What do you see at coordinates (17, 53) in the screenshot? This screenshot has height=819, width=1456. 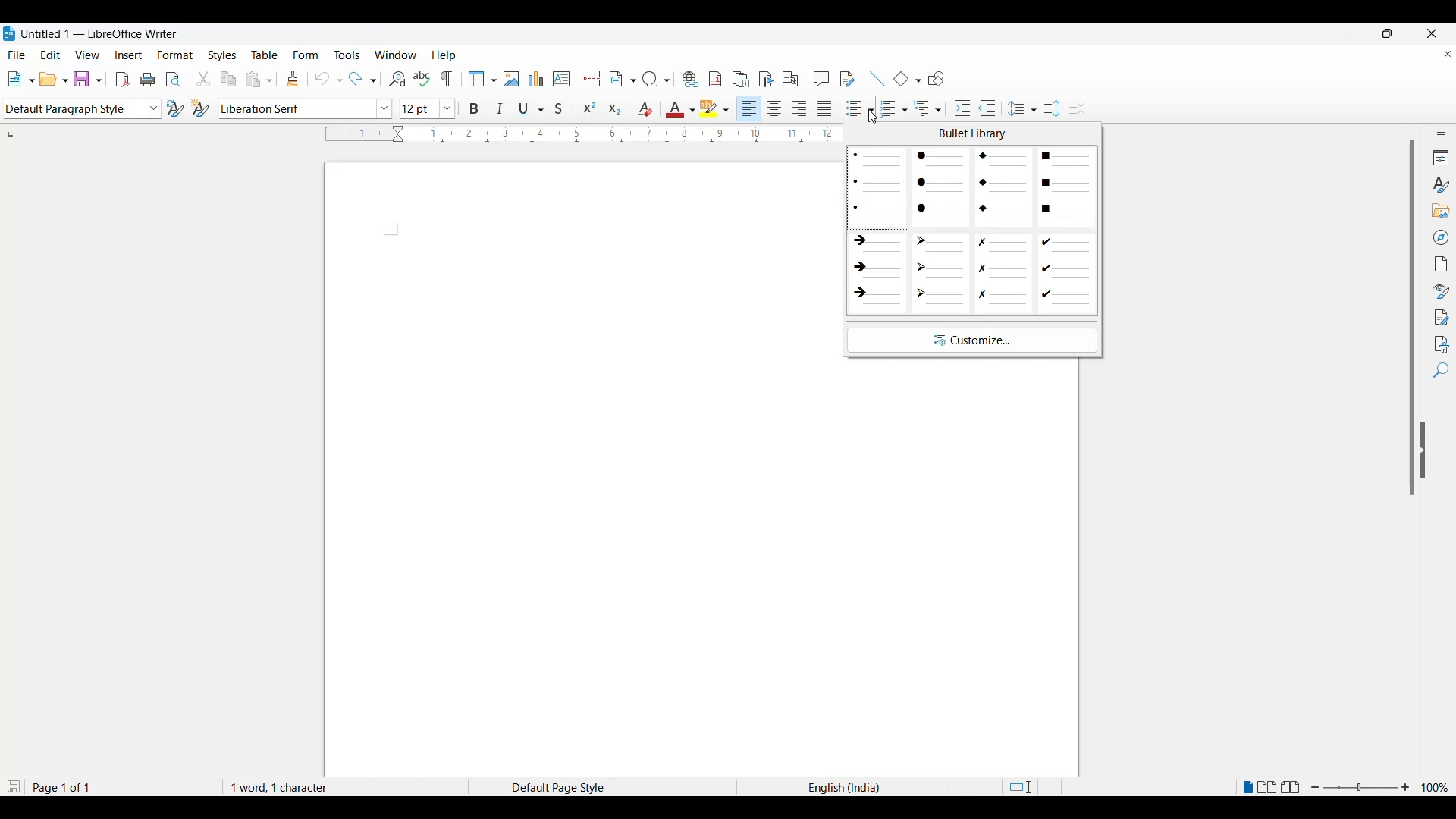 I see `File` at bounding box center [17, 53].